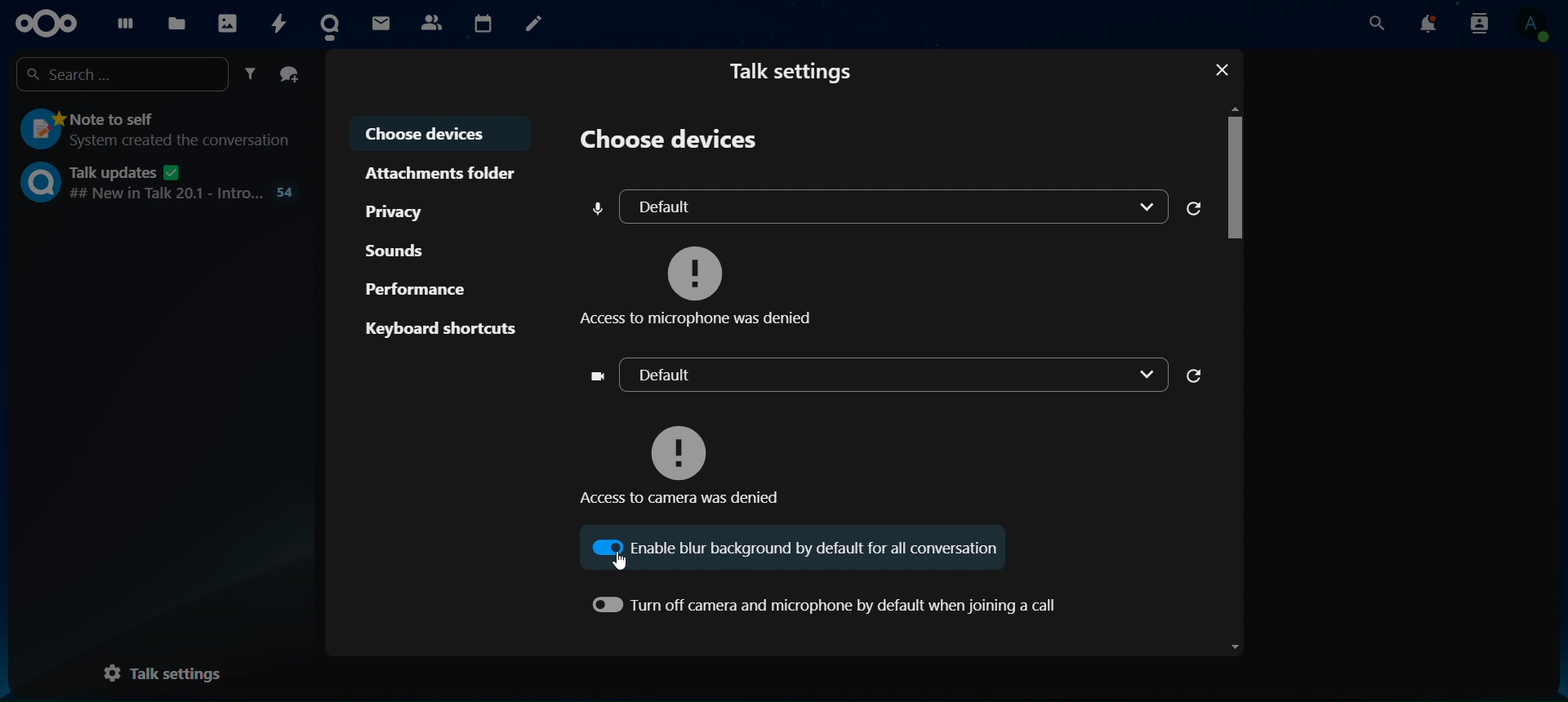 The width and height of the screenshot is (1568, 702). Describe the element at coordinates (400, 213) in the screenshot. I see `privacy` at that location.